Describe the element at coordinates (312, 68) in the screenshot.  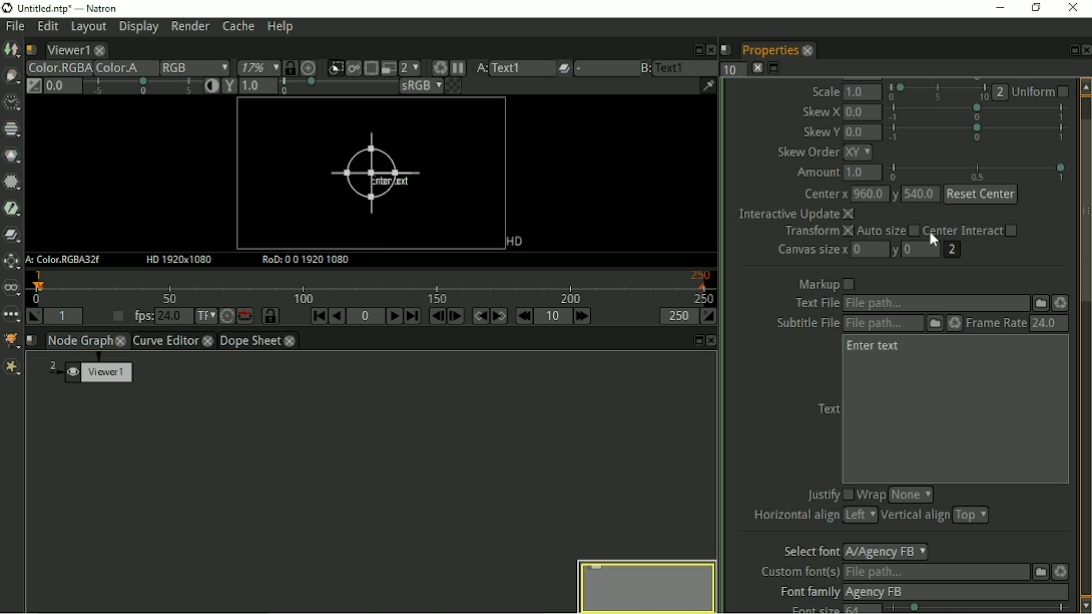
I see `Scale image` at that location.